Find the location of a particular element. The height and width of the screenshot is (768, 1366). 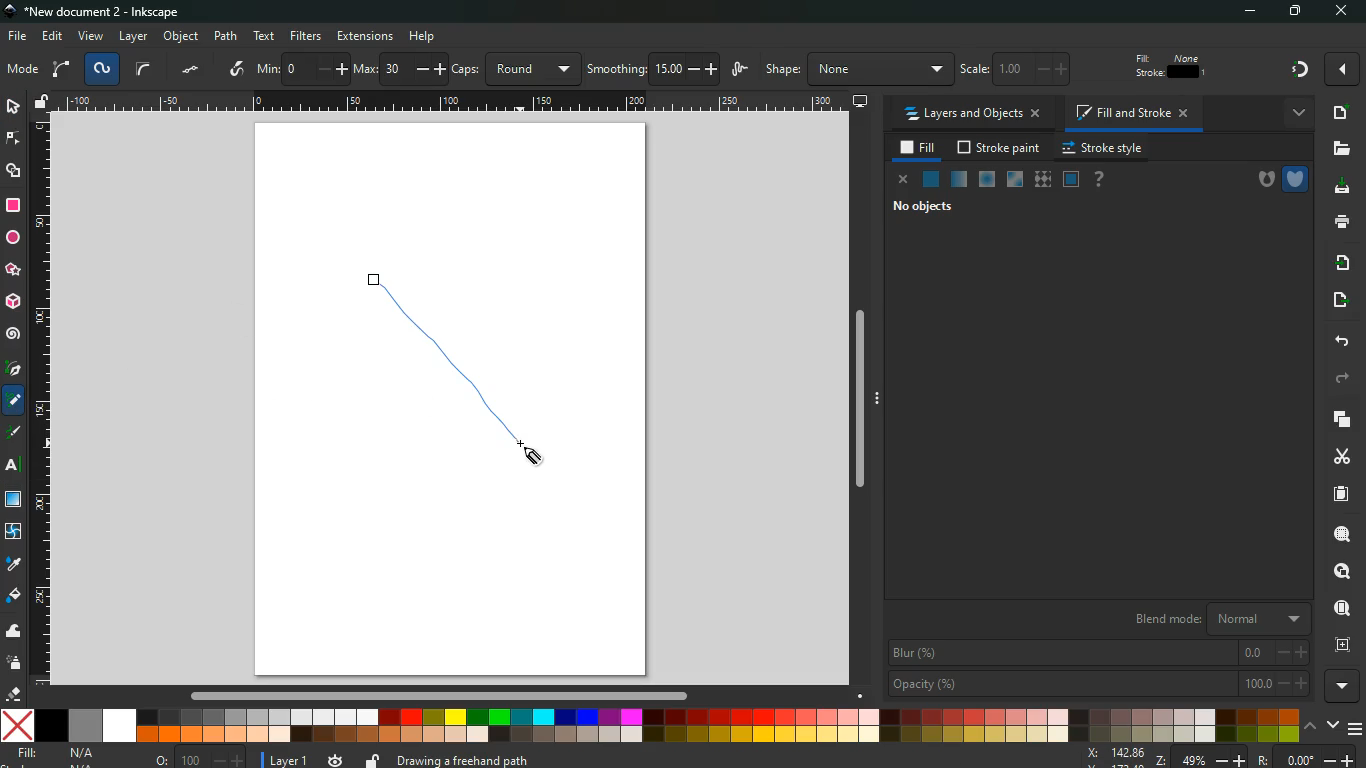

color is located at coordinates (649, 725).